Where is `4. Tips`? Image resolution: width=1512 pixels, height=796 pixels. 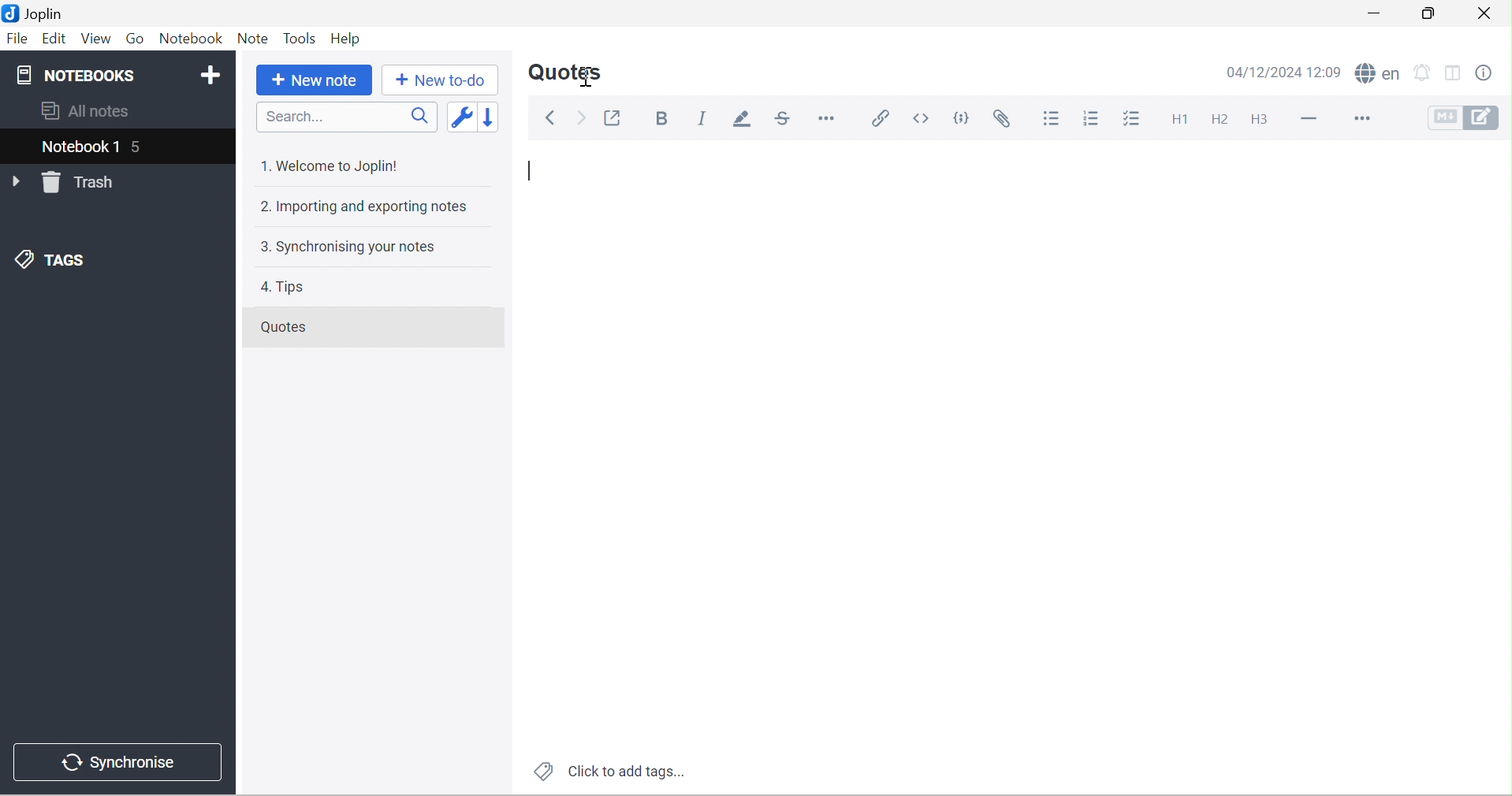 4. Tips is located at coordinates (284, 287).